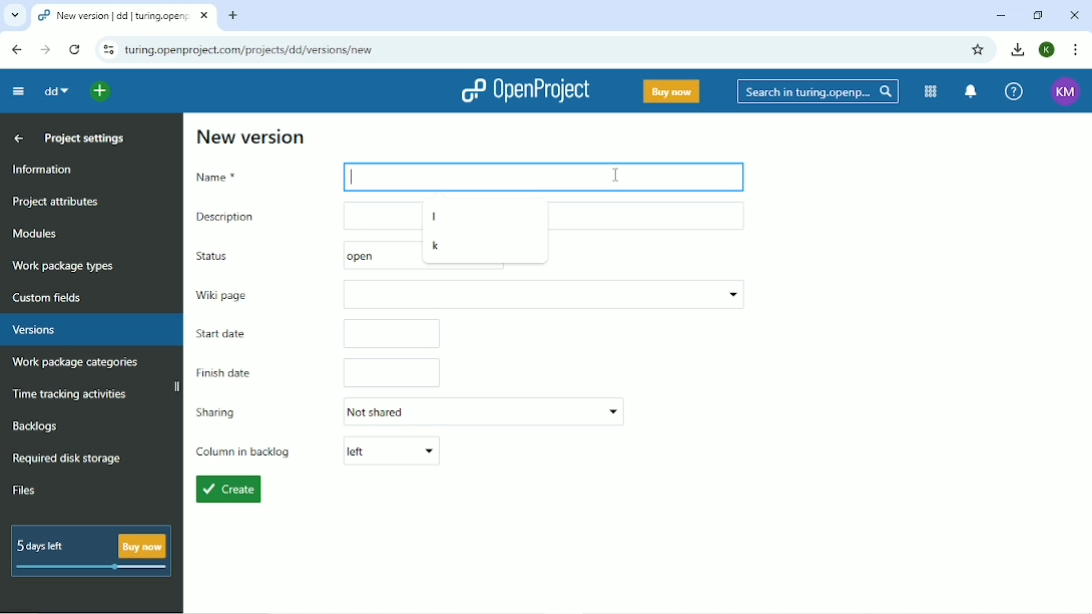  Describe the element at coordinates (1001, 16) in the screenshot. I see `Minimize` at that location.